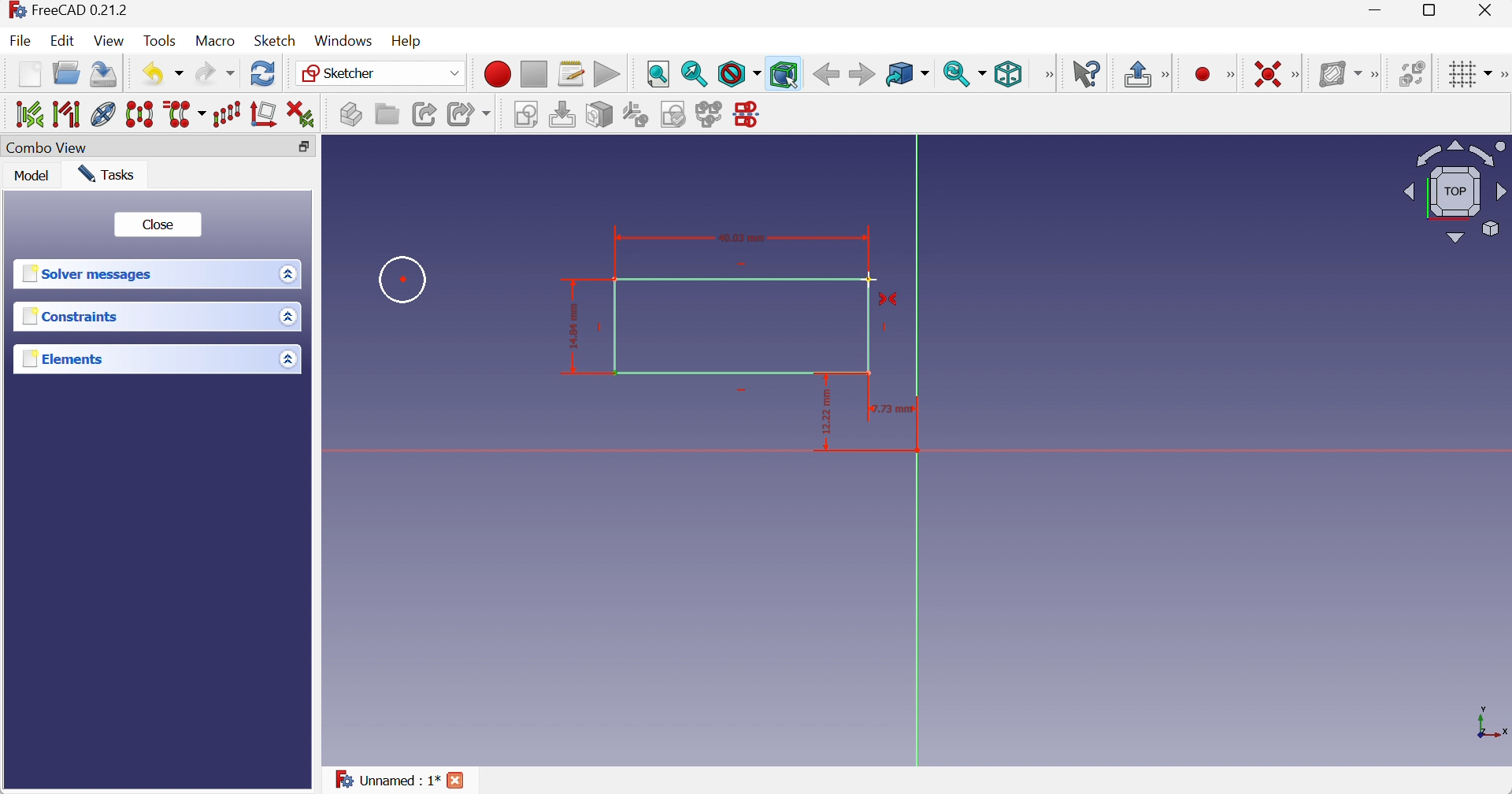 Image resolution: width=1512 pixels, height=794 pixels. What do you see at coordinates (965, 74) in the screenshot?
I see `Sync view` at bounding box center [965, 74].